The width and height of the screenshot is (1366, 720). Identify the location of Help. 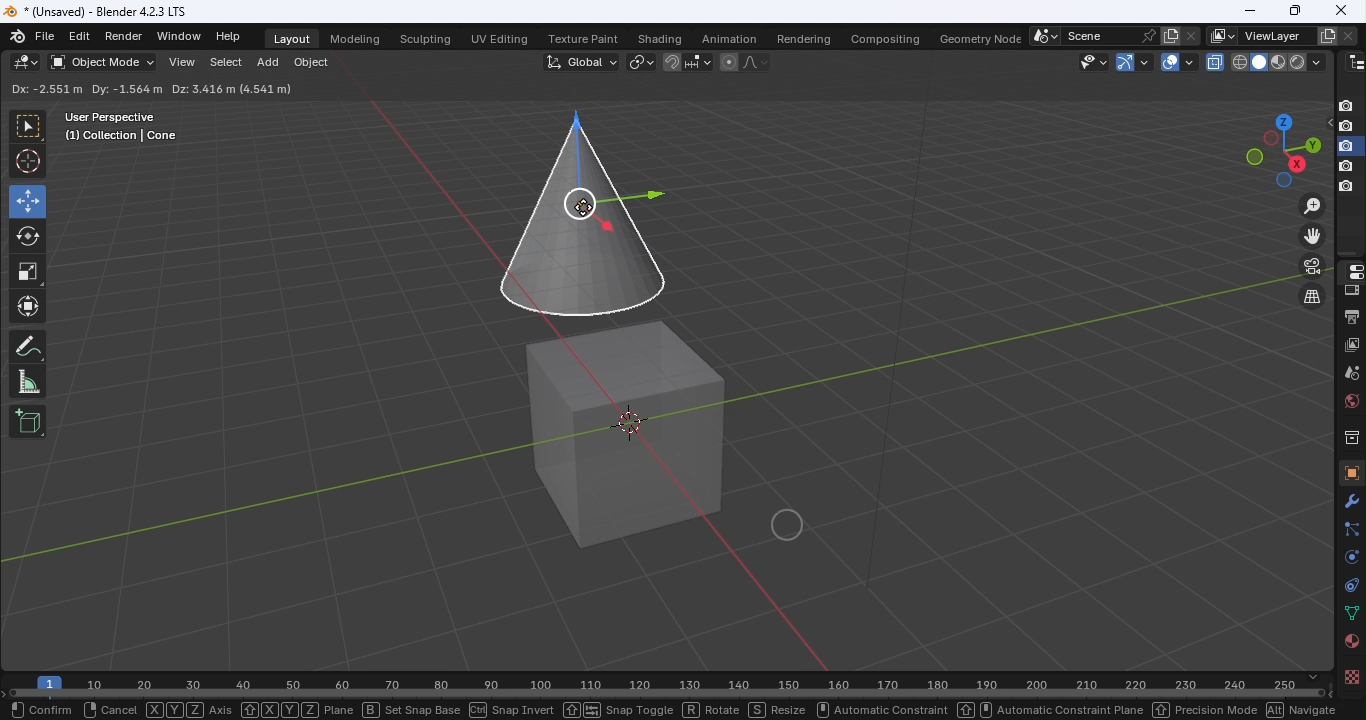
(231, 36).